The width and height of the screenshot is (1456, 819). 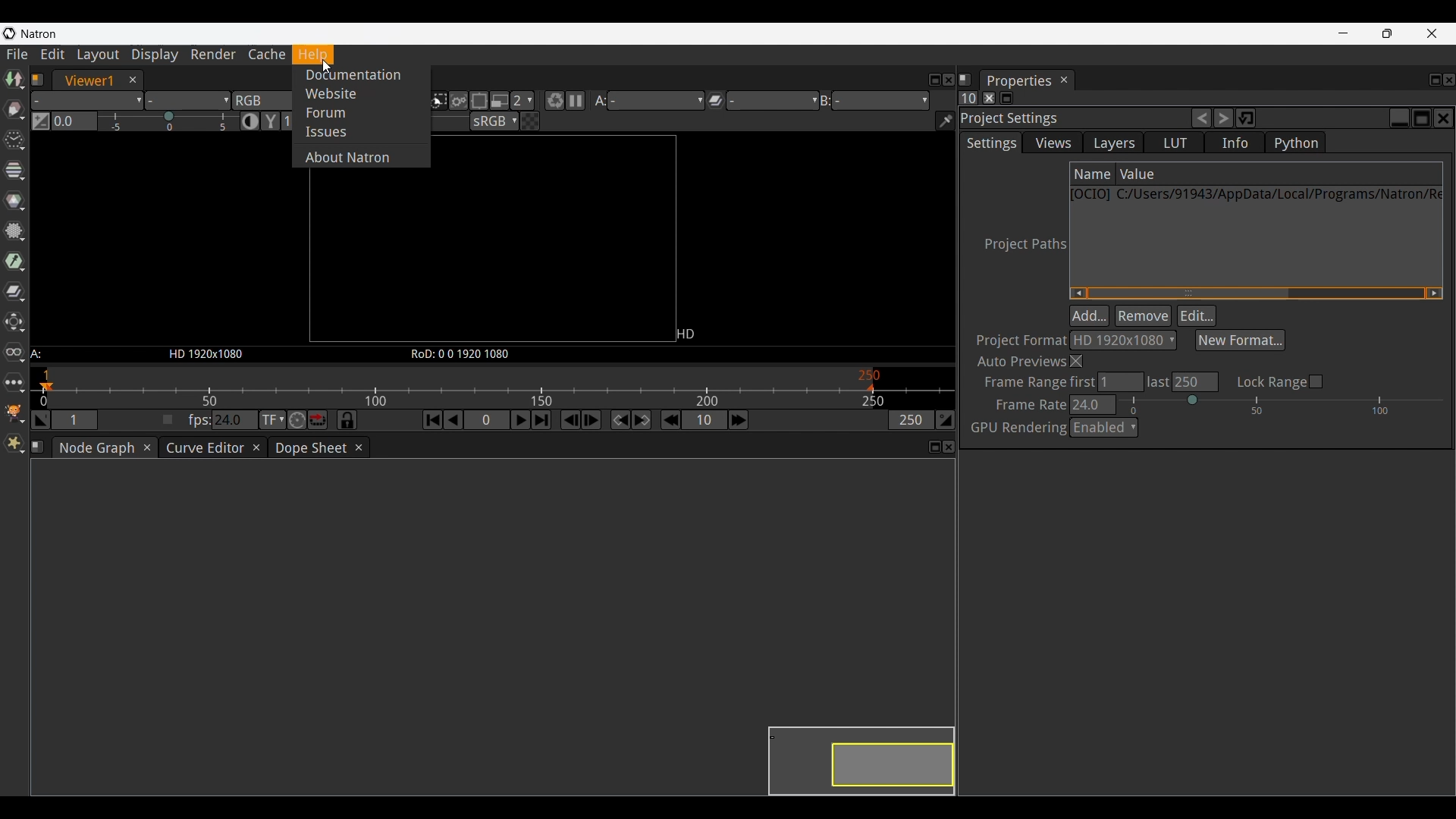 I want to click on Project Setting, so click(x=1066, y=118).